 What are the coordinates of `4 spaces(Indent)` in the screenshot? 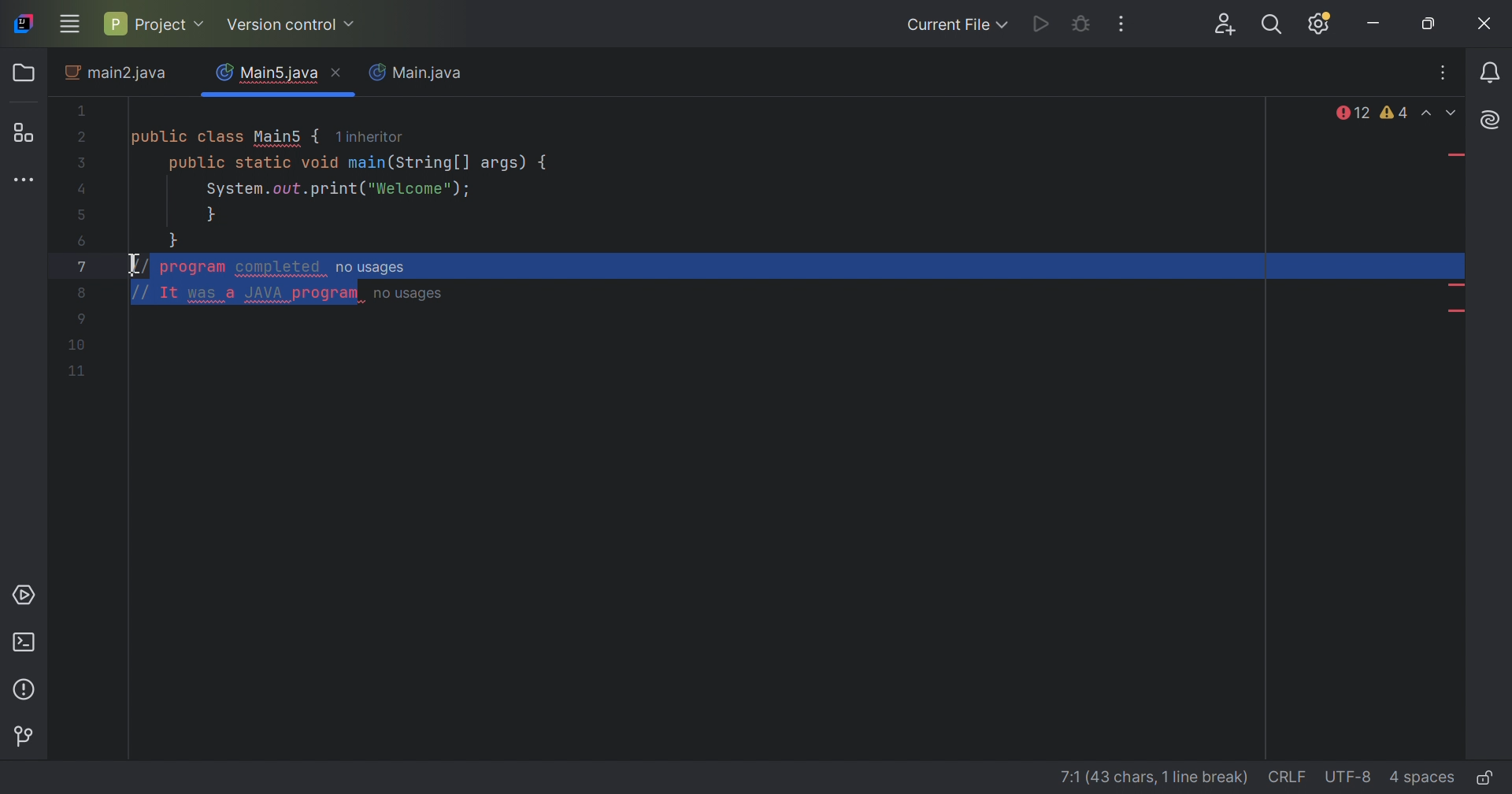 It's located at (1422, 776).